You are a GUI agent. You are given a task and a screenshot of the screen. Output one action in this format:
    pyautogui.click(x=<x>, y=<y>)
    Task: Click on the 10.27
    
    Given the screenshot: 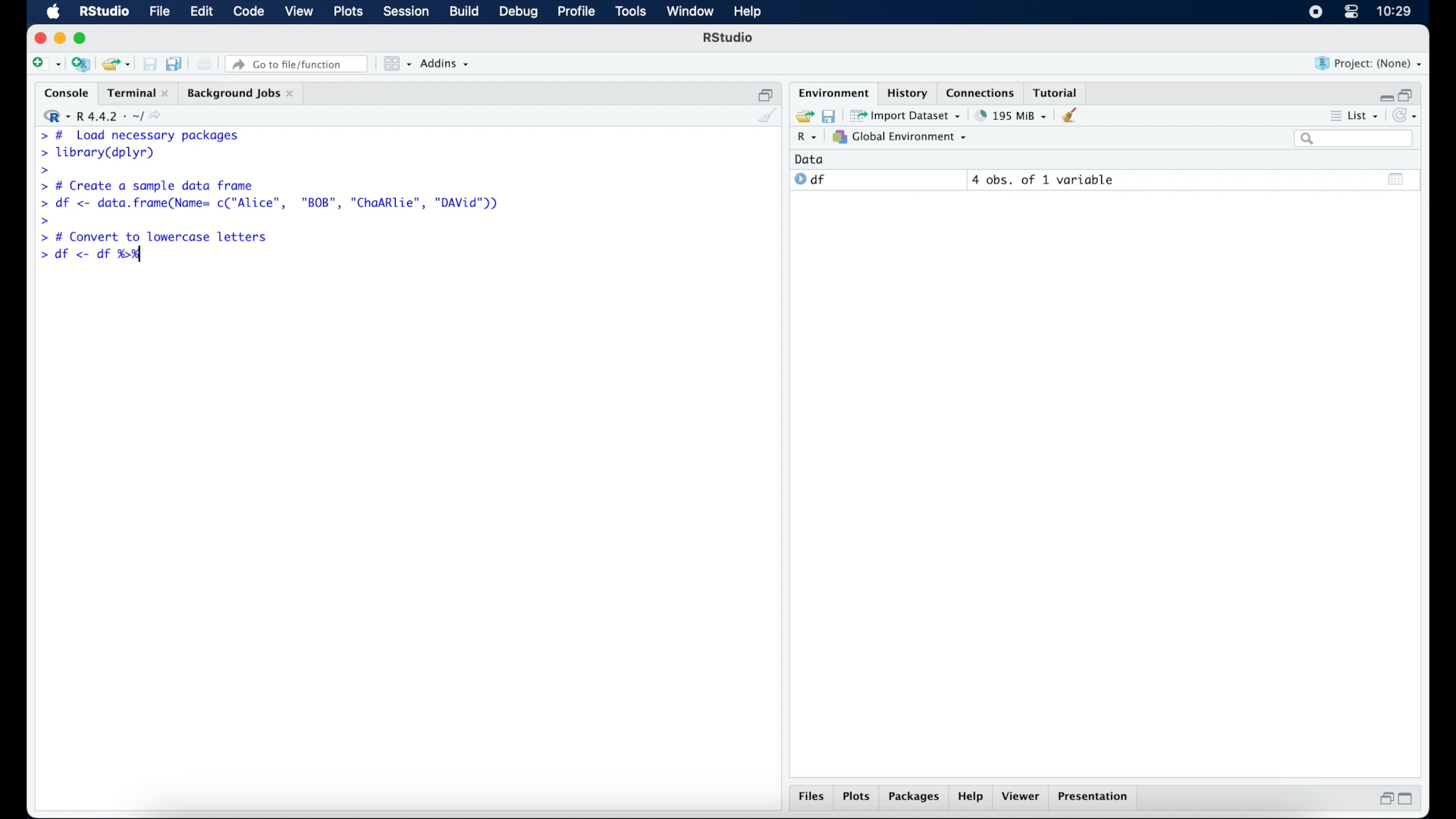 What is the action you would take?
    pyautogui.click(x=1394, y=11)
    